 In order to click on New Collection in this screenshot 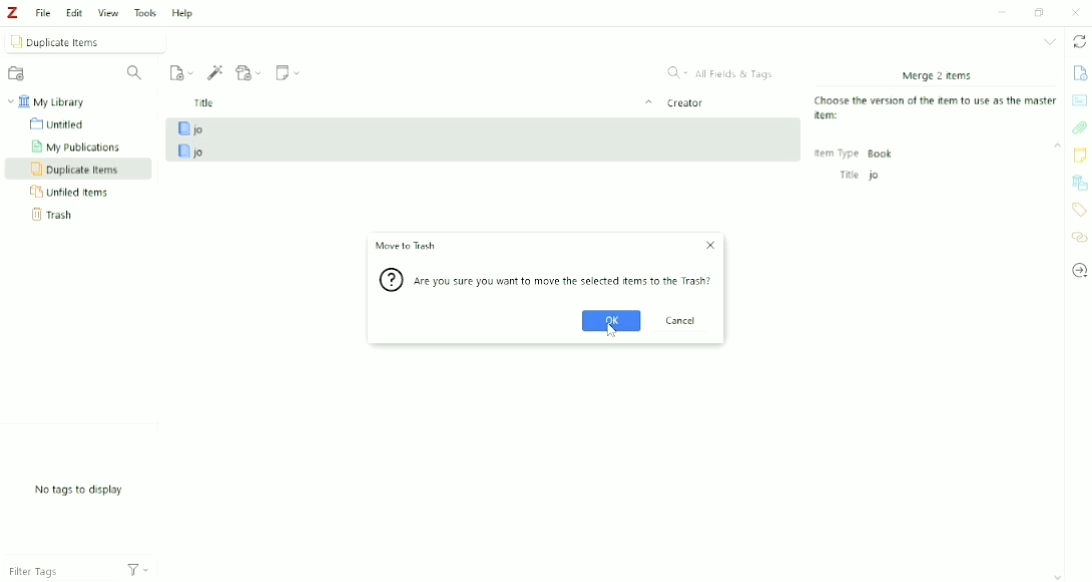, I will do `click(18, 74)`.